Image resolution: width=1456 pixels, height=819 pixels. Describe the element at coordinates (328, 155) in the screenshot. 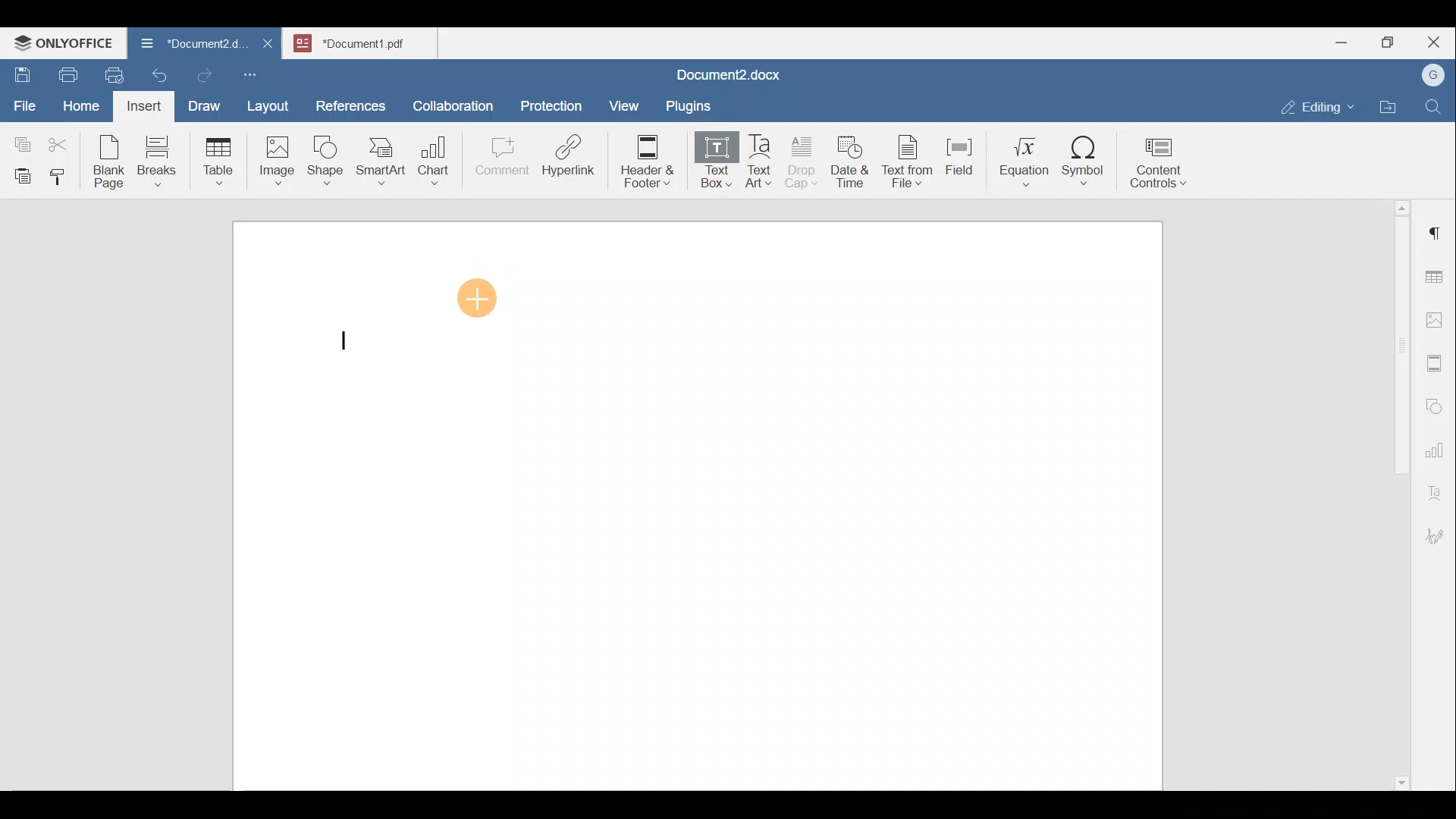

I see `Shape` at that location.